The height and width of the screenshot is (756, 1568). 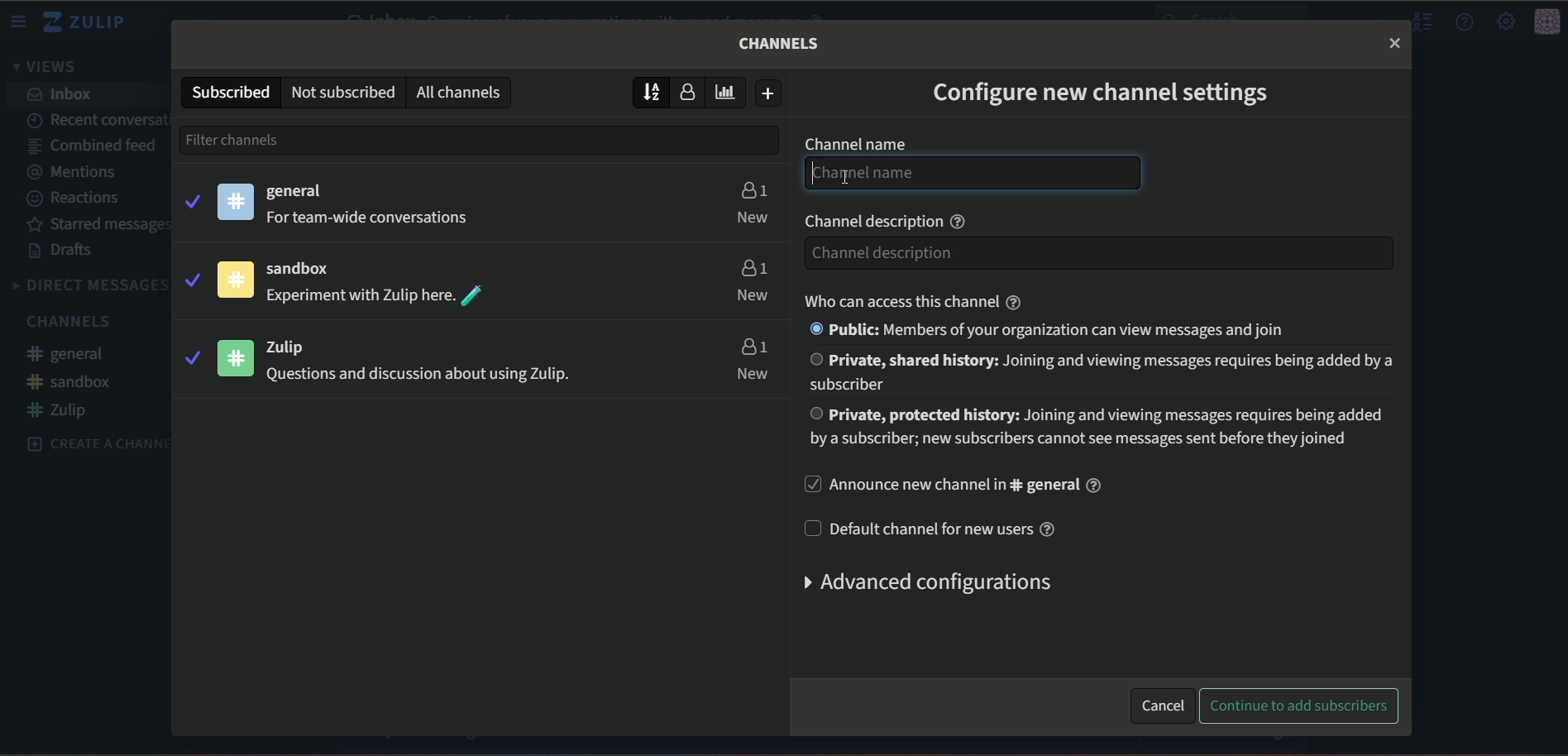 I want to click on #zulip, so click(x=63, y=410).